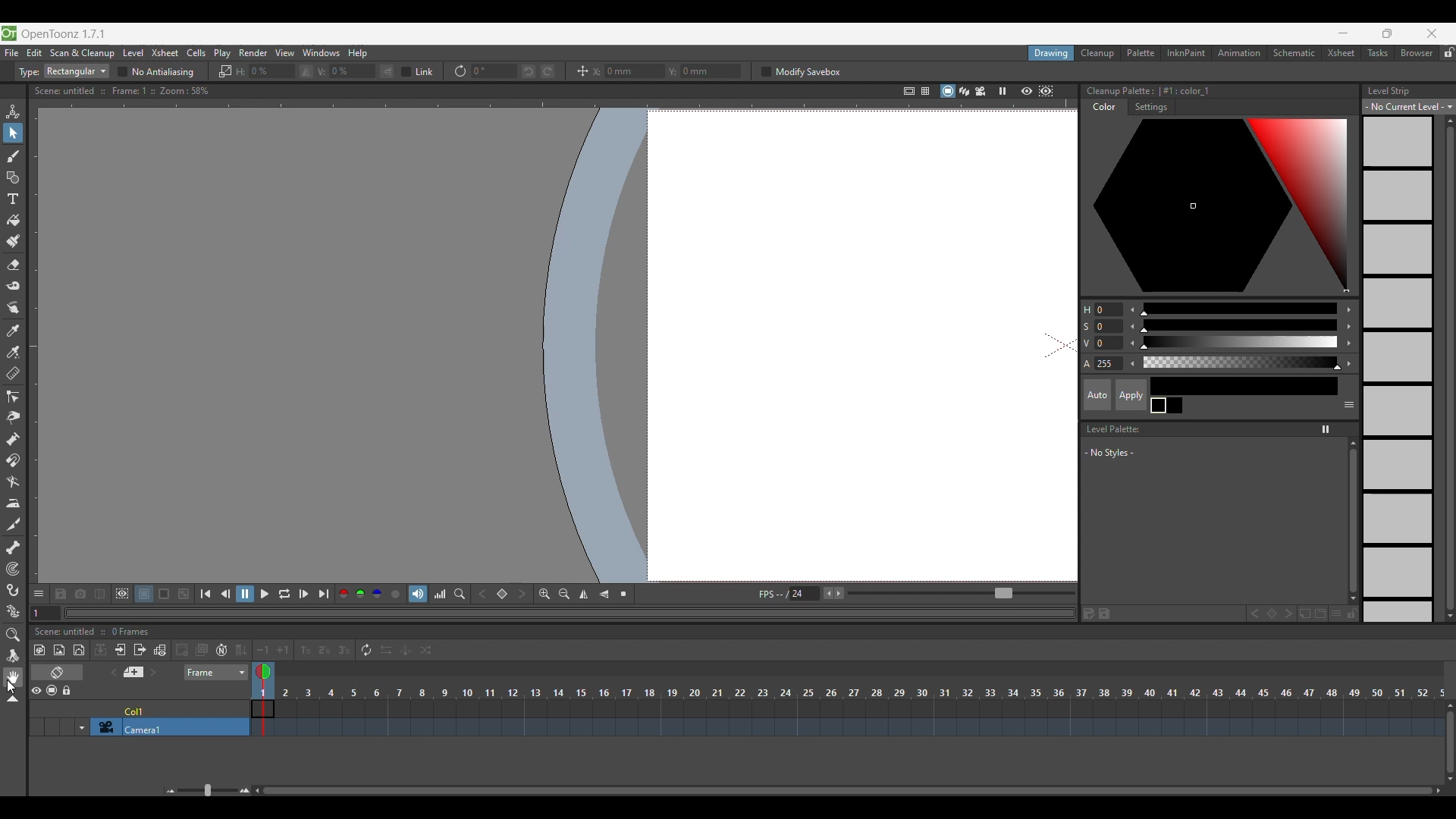 The width and height of the screenshot is (1456, 819). Describe the element at coordinates (13, 397) in the screenshot. I see `Control point editor tool` at that location.